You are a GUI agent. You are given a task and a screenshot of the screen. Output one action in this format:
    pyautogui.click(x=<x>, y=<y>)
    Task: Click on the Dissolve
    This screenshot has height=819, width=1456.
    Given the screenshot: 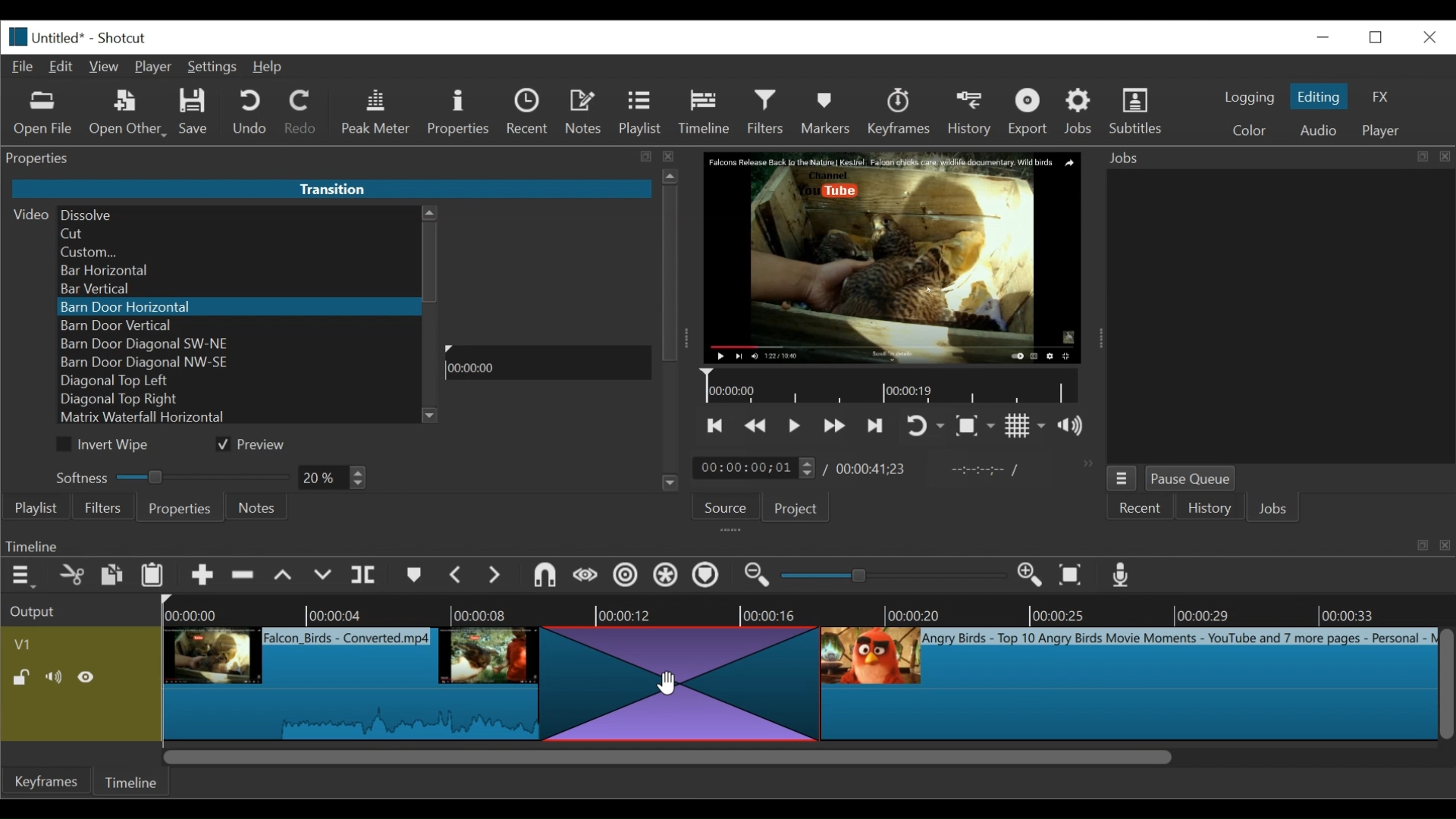 What is the action you would take?
    pyautogui.click(x=238, y=214)
    